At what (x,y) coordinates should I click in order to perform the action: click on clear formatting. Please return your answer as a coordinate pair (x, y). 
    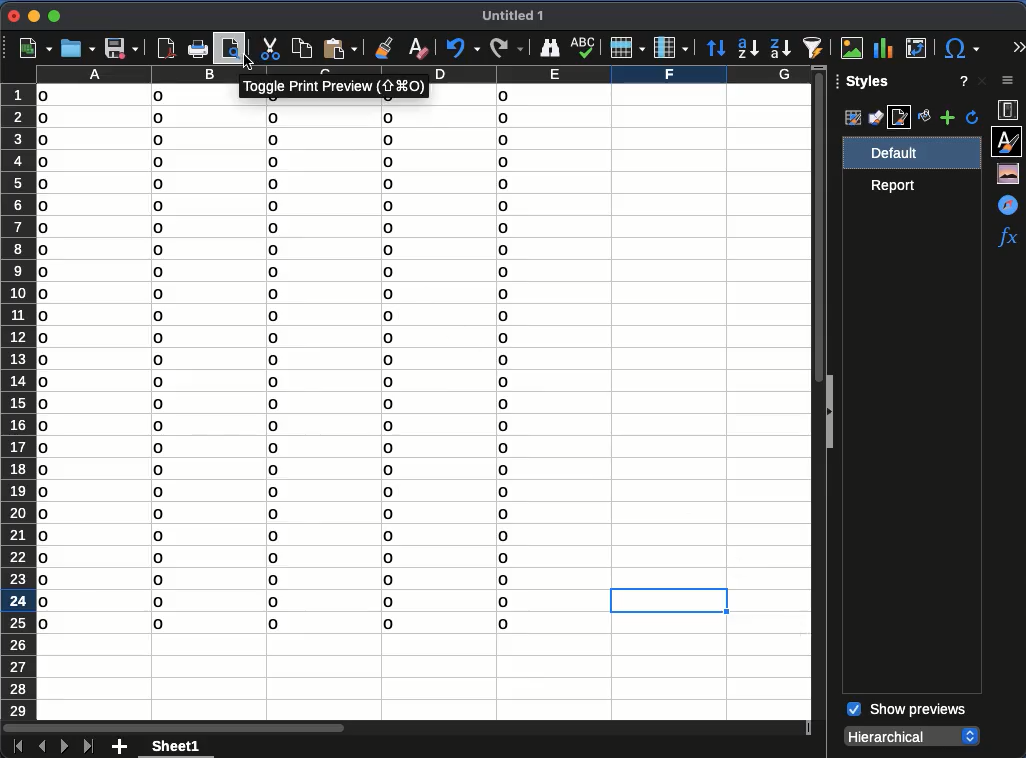
    Looking at the image, I should click on (420, 47).